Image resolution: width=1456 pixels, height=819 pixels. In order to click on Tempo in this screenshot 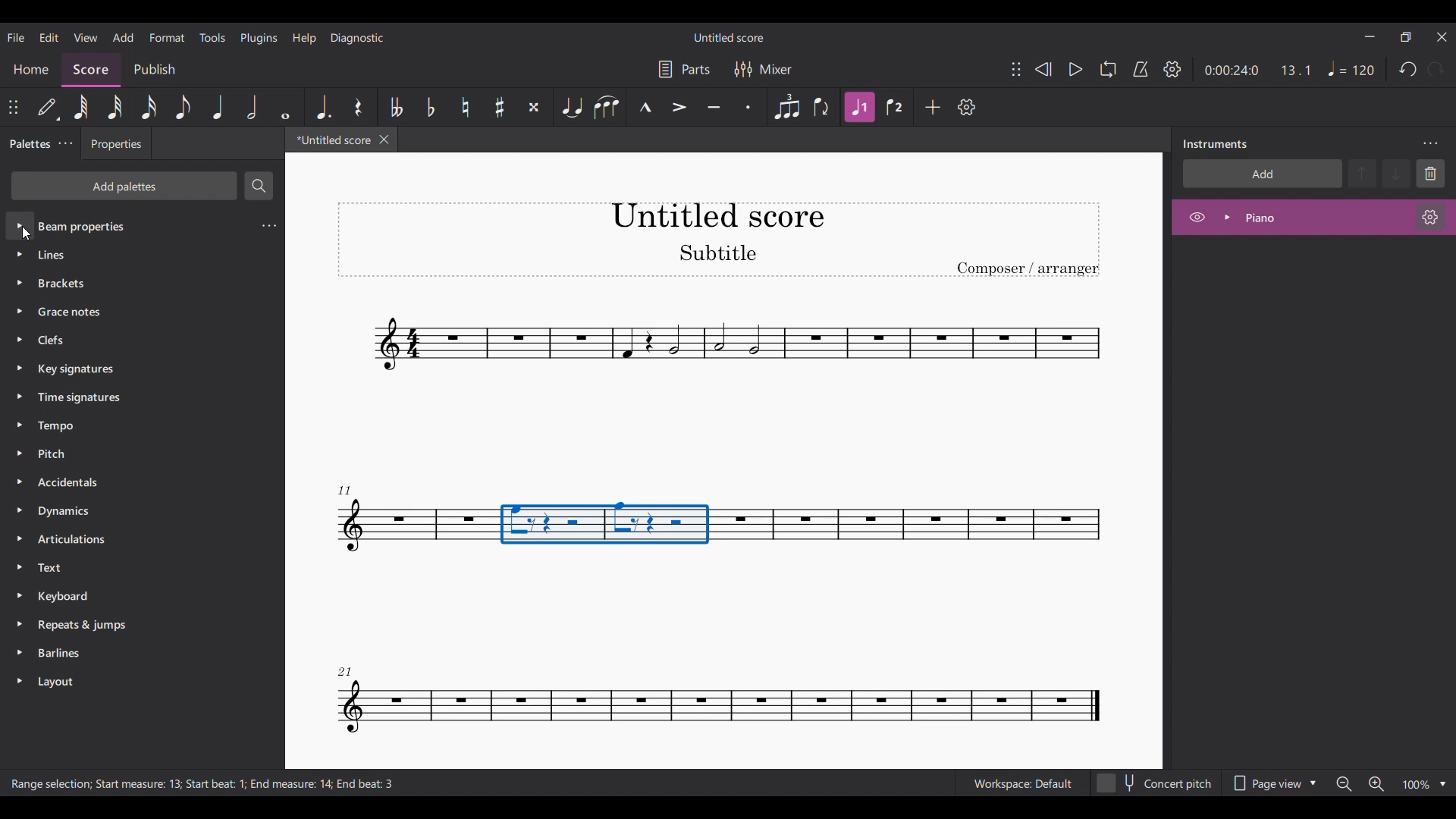, I will do `click(1351, 68)`.